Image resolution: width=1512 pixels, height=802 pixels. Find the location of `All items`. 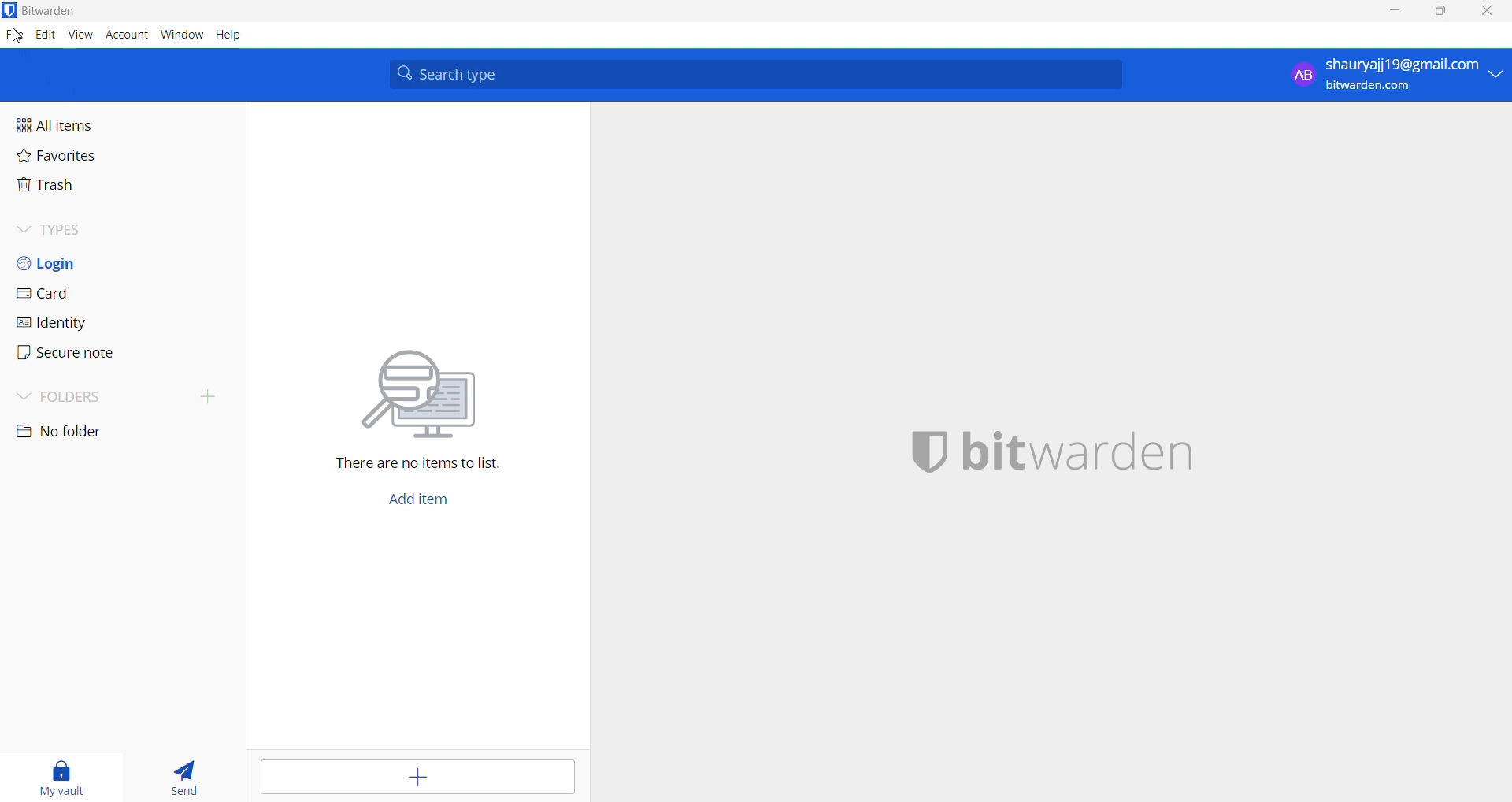

All items is located at coordinates (148, 125).